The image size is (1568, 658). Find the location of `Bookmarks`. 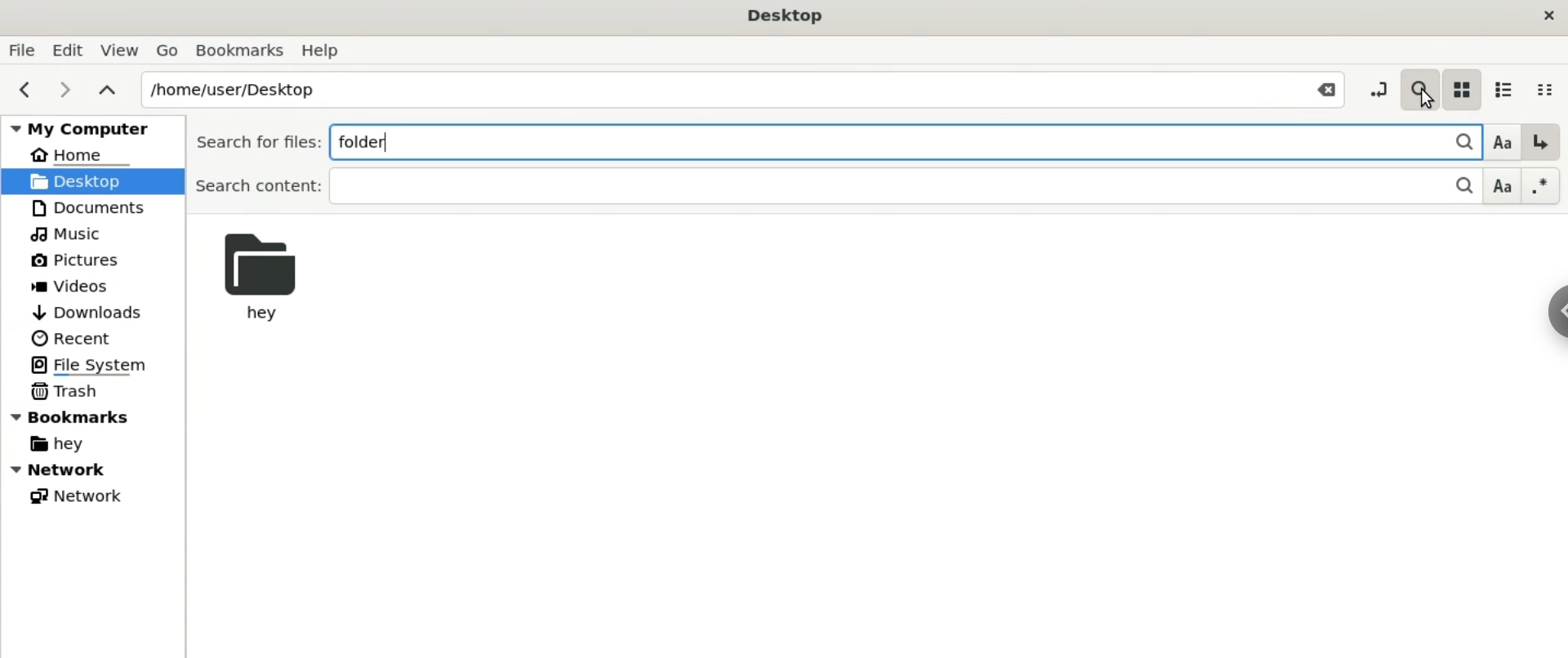

Bookmarks is located at coordinates (76, 416).